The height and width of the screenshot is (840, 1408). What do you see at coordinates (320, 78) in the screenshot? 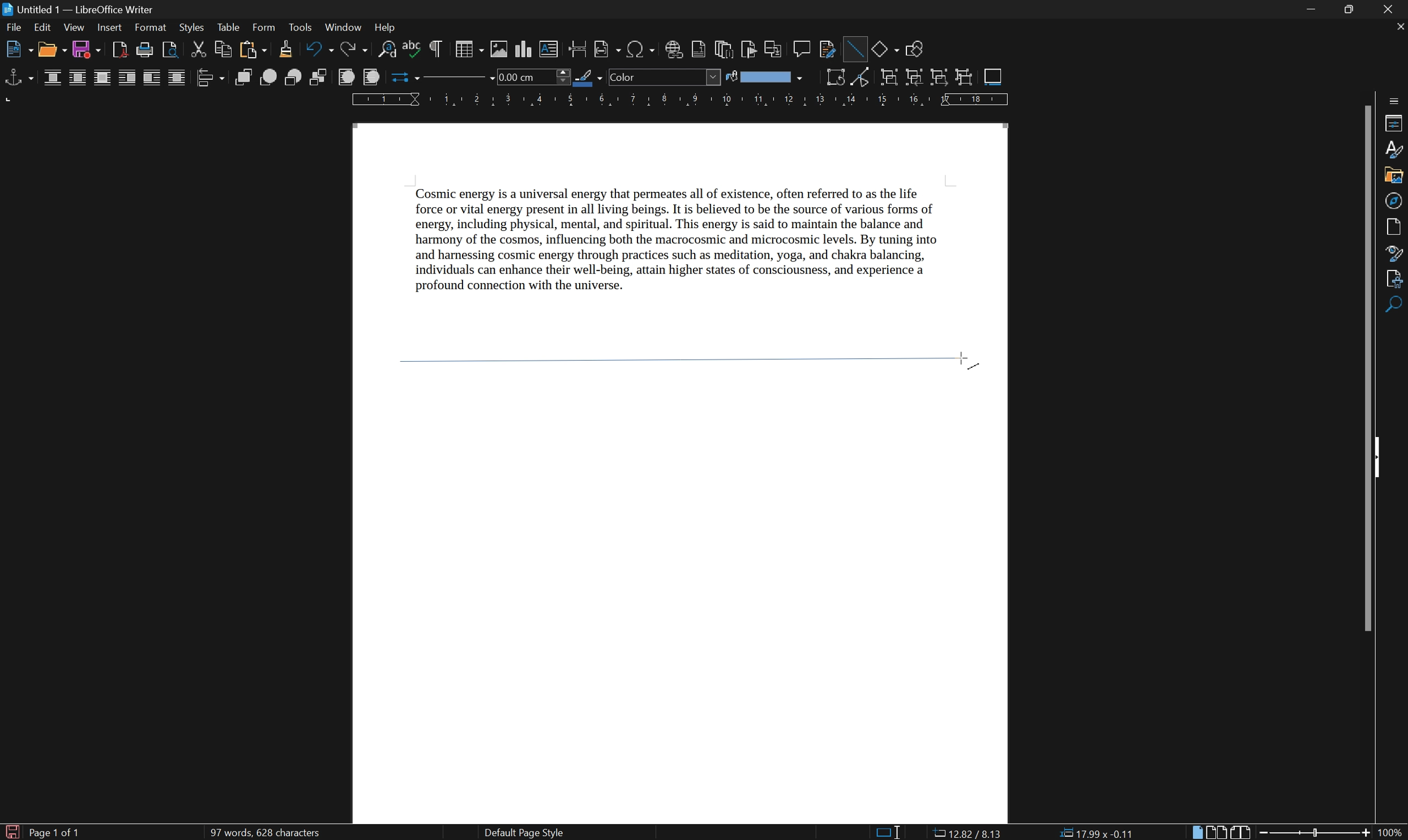
I see `send to back` at bounding box center [320, 78].